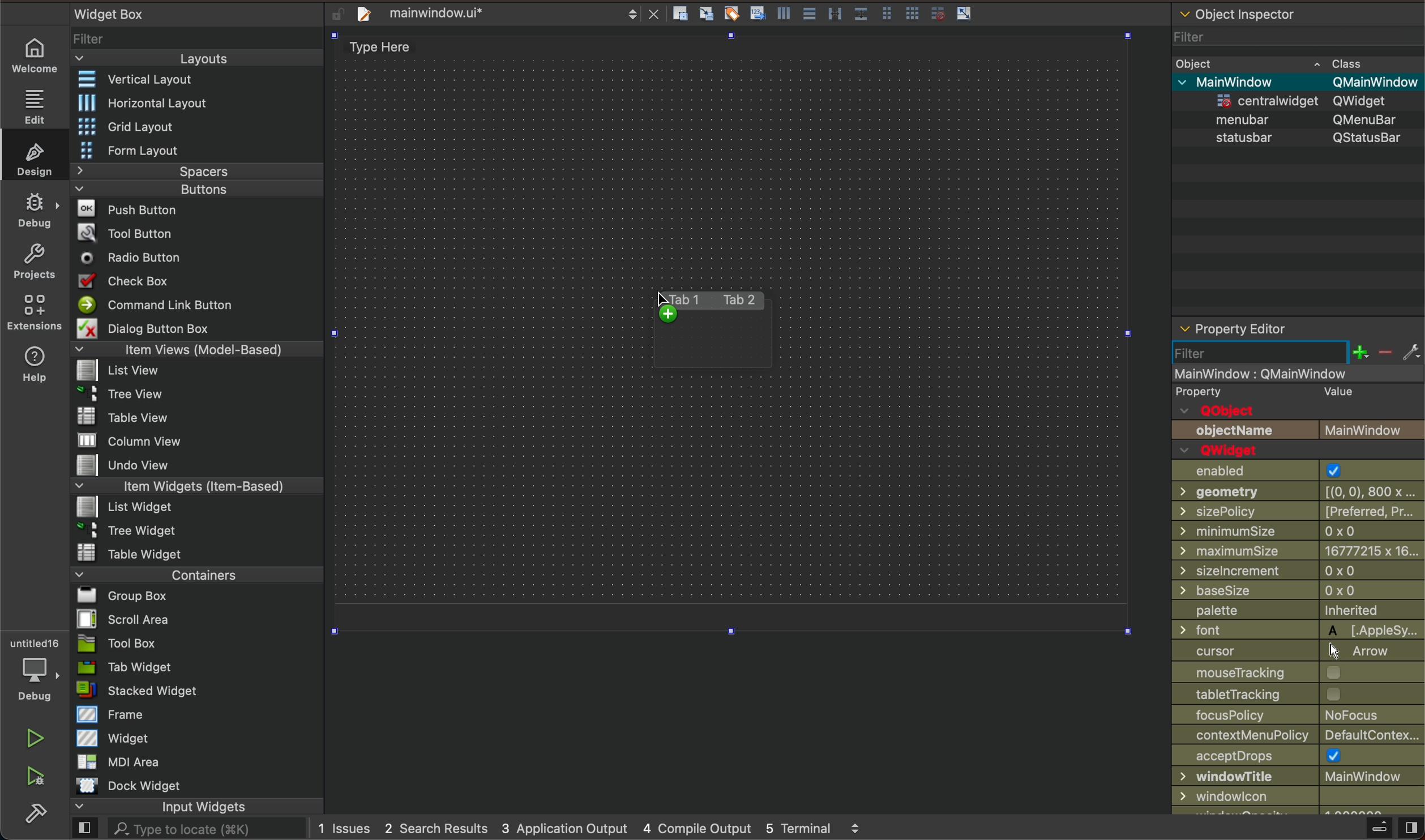  I want to click on , so click(1300, 673).